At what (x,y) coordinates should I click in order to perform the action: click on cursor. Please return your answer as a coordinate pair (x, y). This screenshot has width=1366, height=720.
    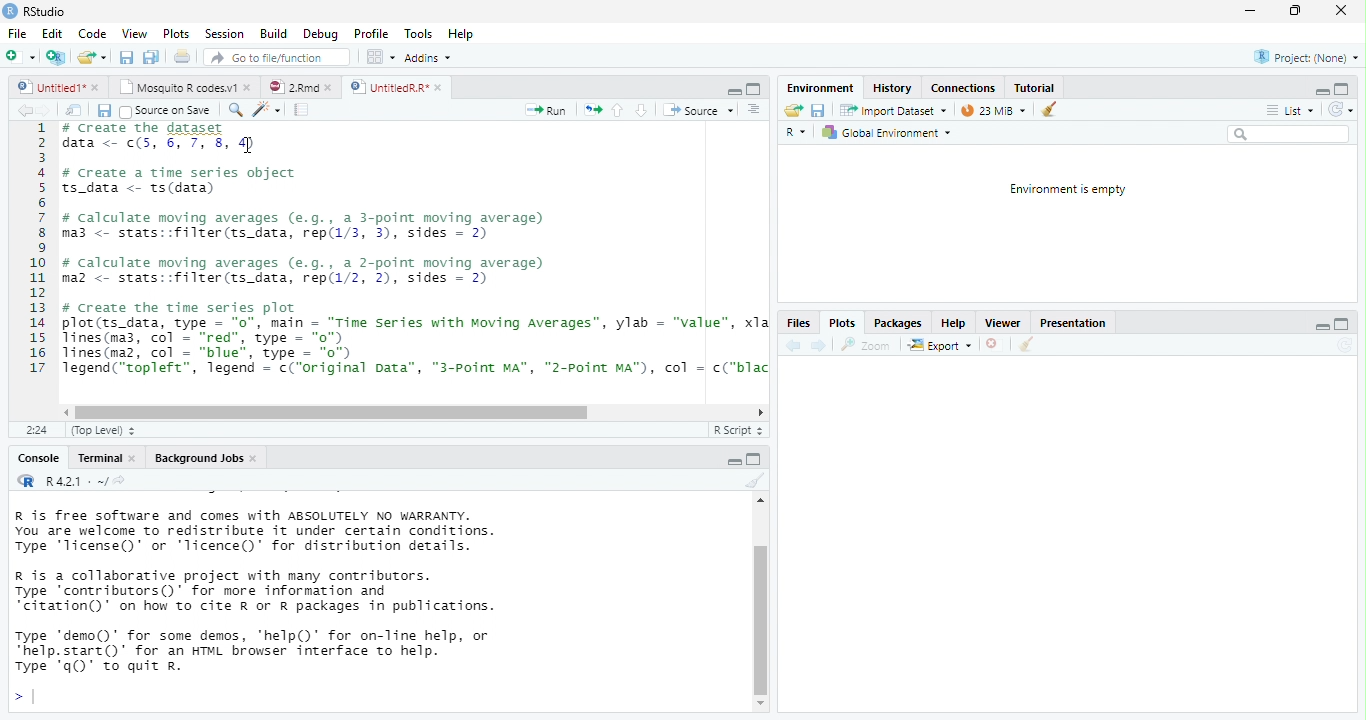
    Looking at the image, I should click on (249, 146).